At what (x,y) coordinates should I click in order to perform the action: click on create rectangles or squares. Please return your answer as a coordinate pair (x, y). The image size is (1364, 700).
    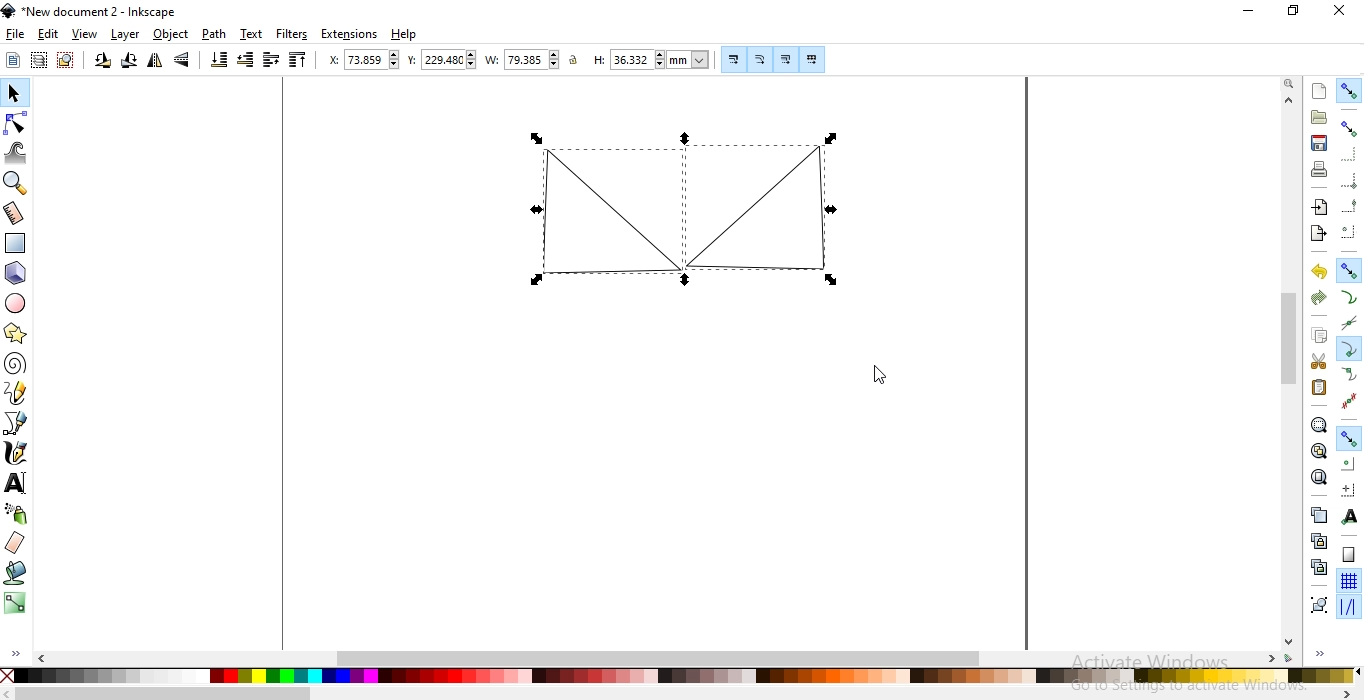
    Looking at the image, I should click on (15, 244).